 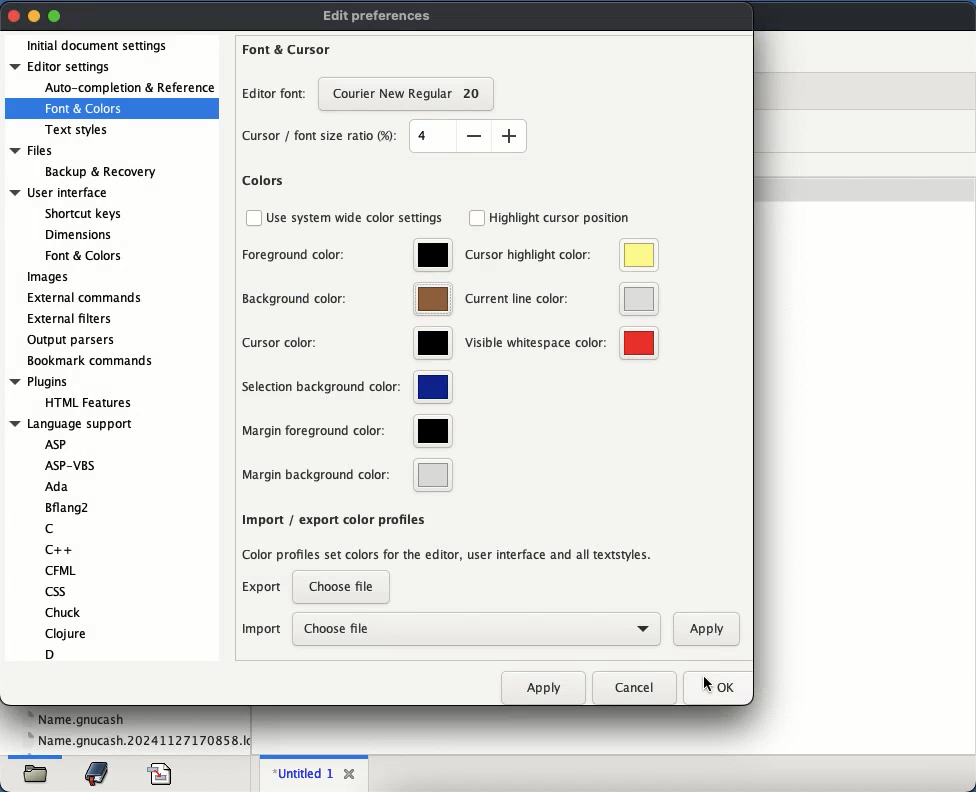 What do you see at coordinates (84, 211) in the screenshot?
I see `Shortcut keys` at bounding box center [84, 211].